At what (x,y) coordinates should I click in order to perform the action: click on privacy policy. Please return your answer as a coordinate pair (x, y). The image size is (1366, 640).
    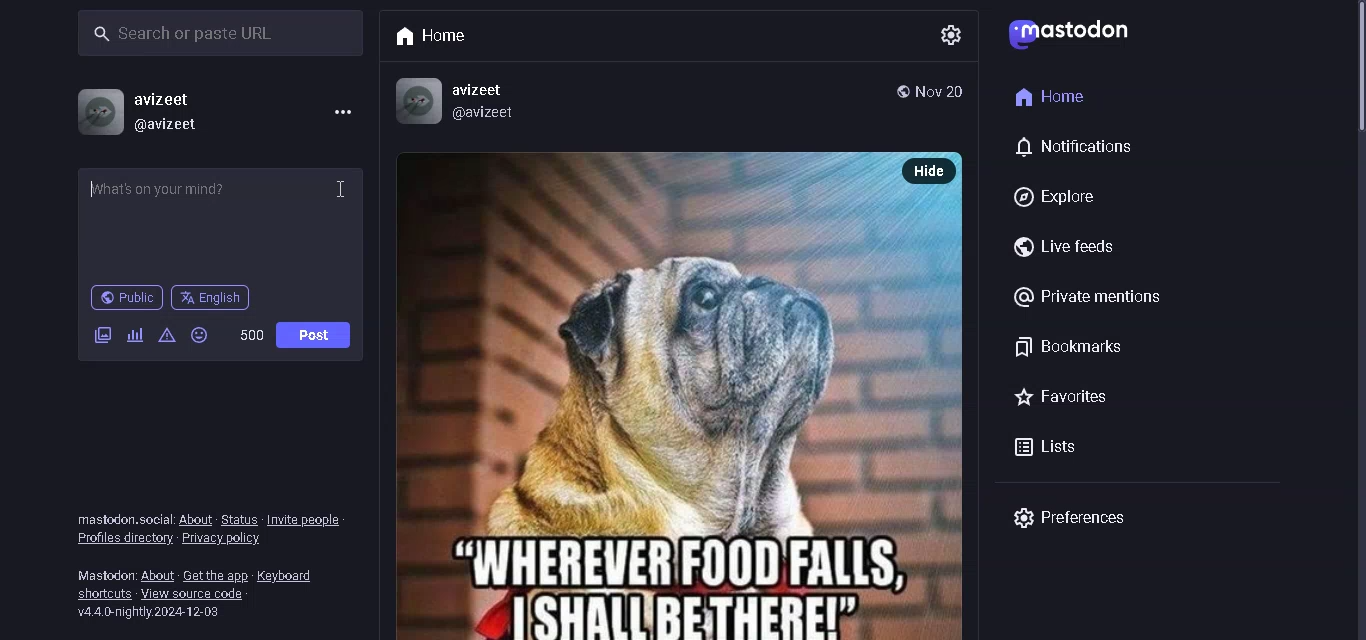
    Looking at the image, I should click on (225, 541).